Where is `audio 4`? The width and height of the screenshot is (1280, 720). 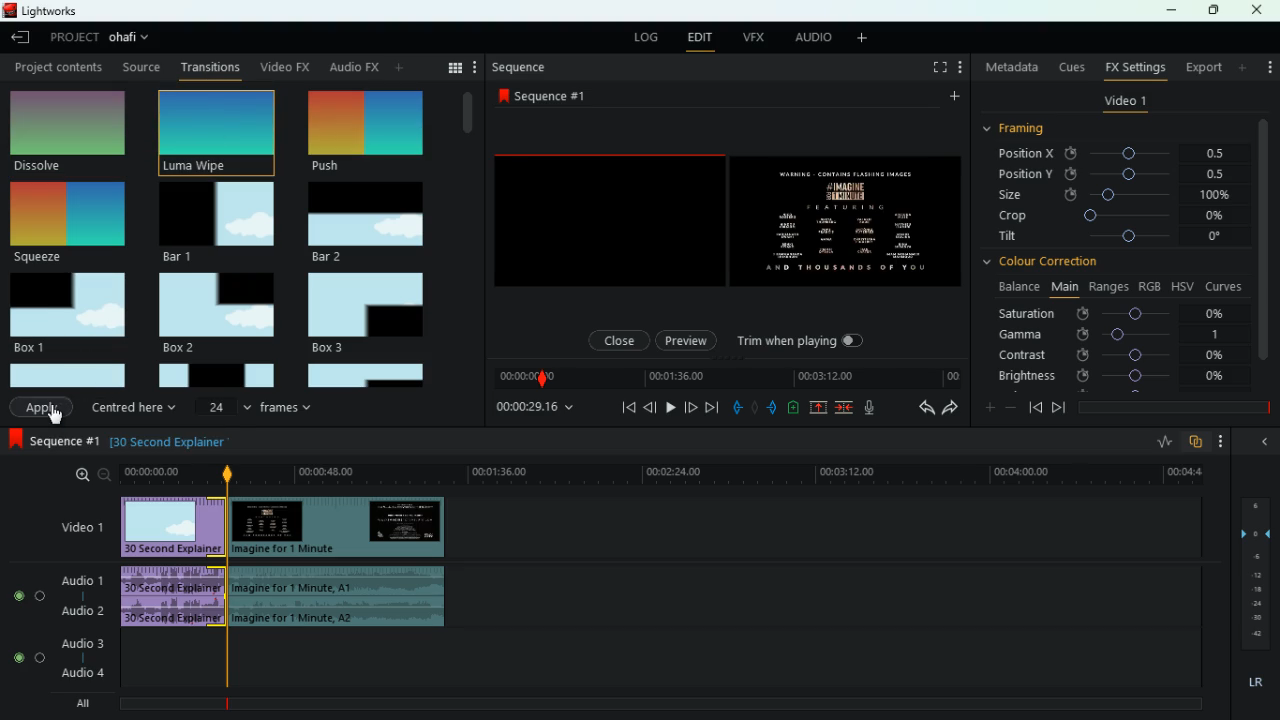
audio 4 is located at coordinates (82, 674).